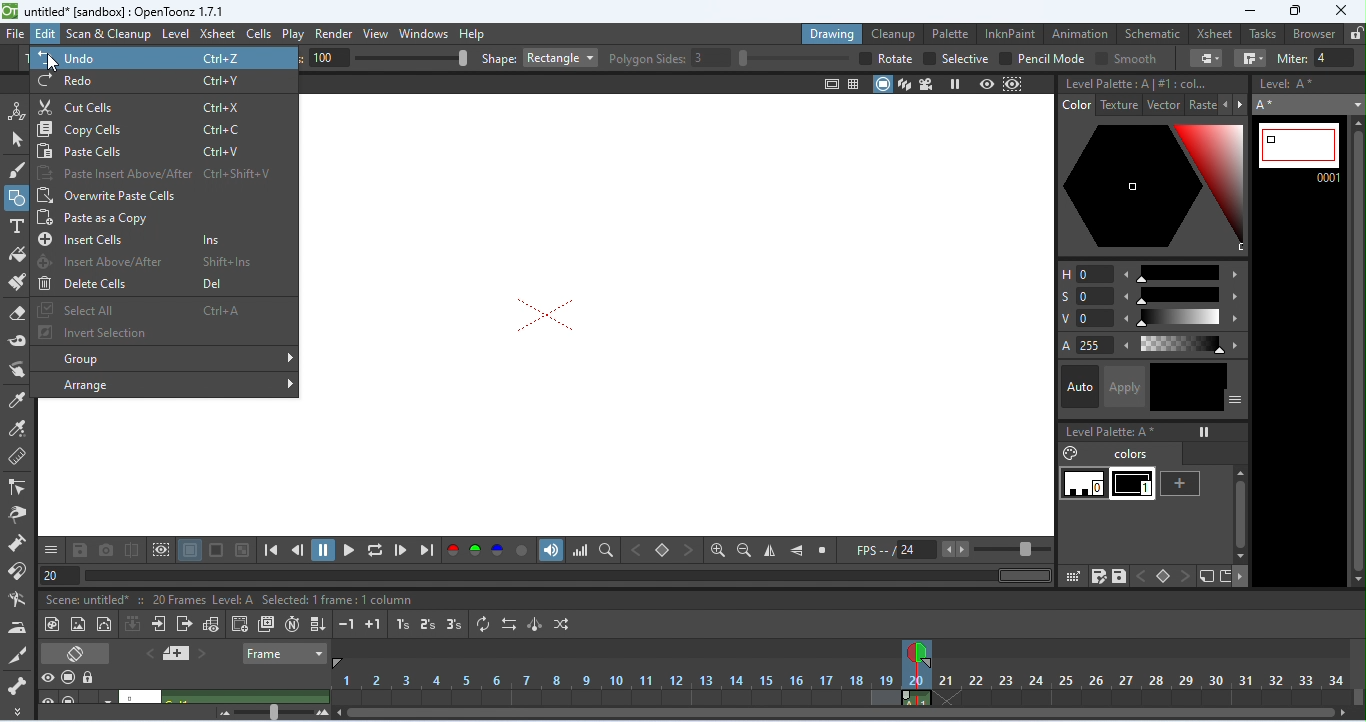  What do you see at coordinates (296, 551) in the screenshot?
I see `previous frame` at bounding box center [296, 551].